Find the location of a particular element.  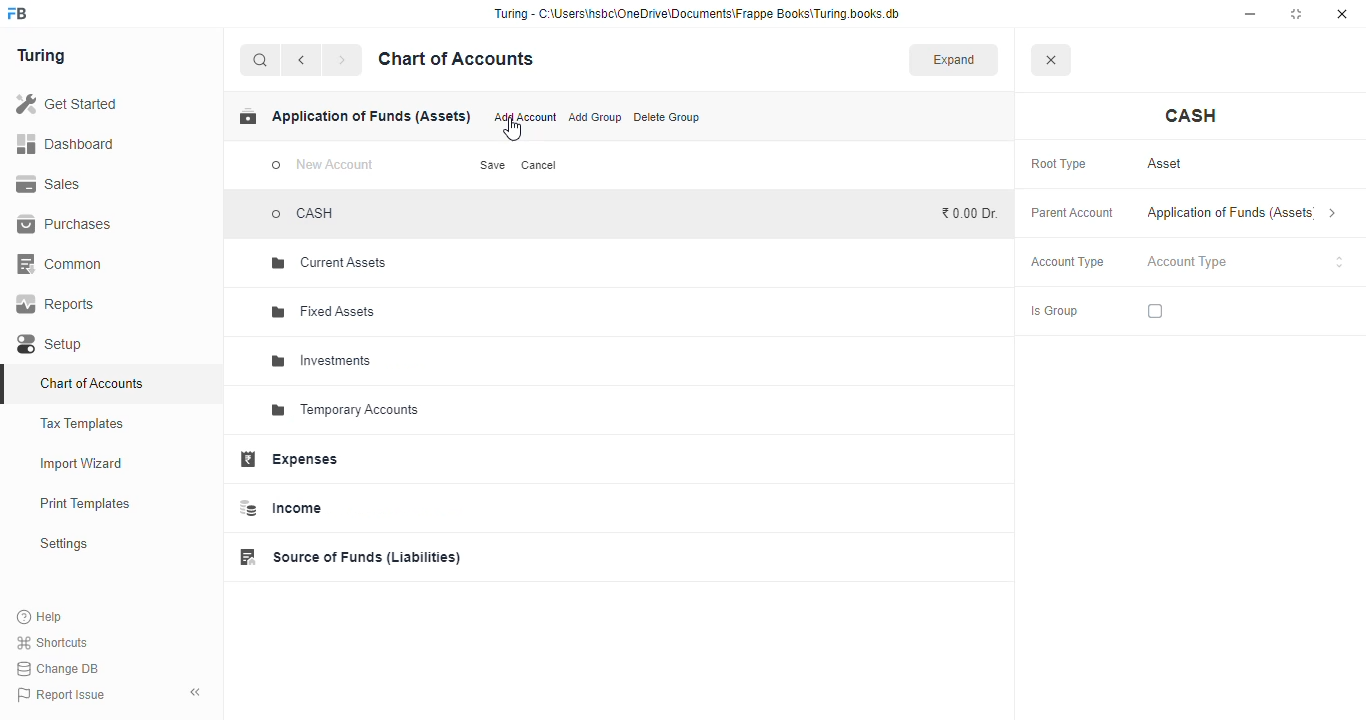

delete group is located at coordinates (667, 117).